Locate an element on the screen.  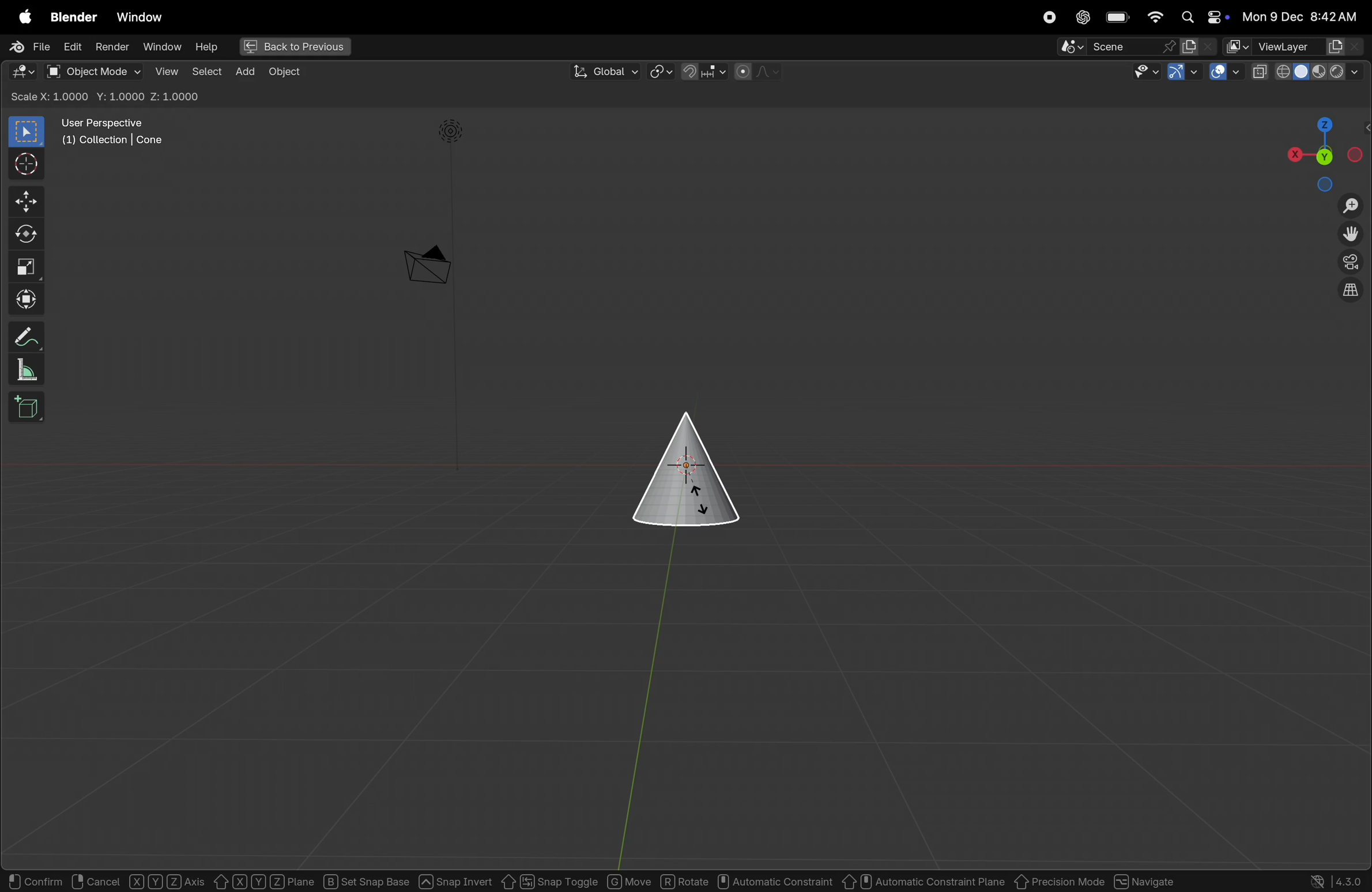
record is located at coordinates (1050, 17).